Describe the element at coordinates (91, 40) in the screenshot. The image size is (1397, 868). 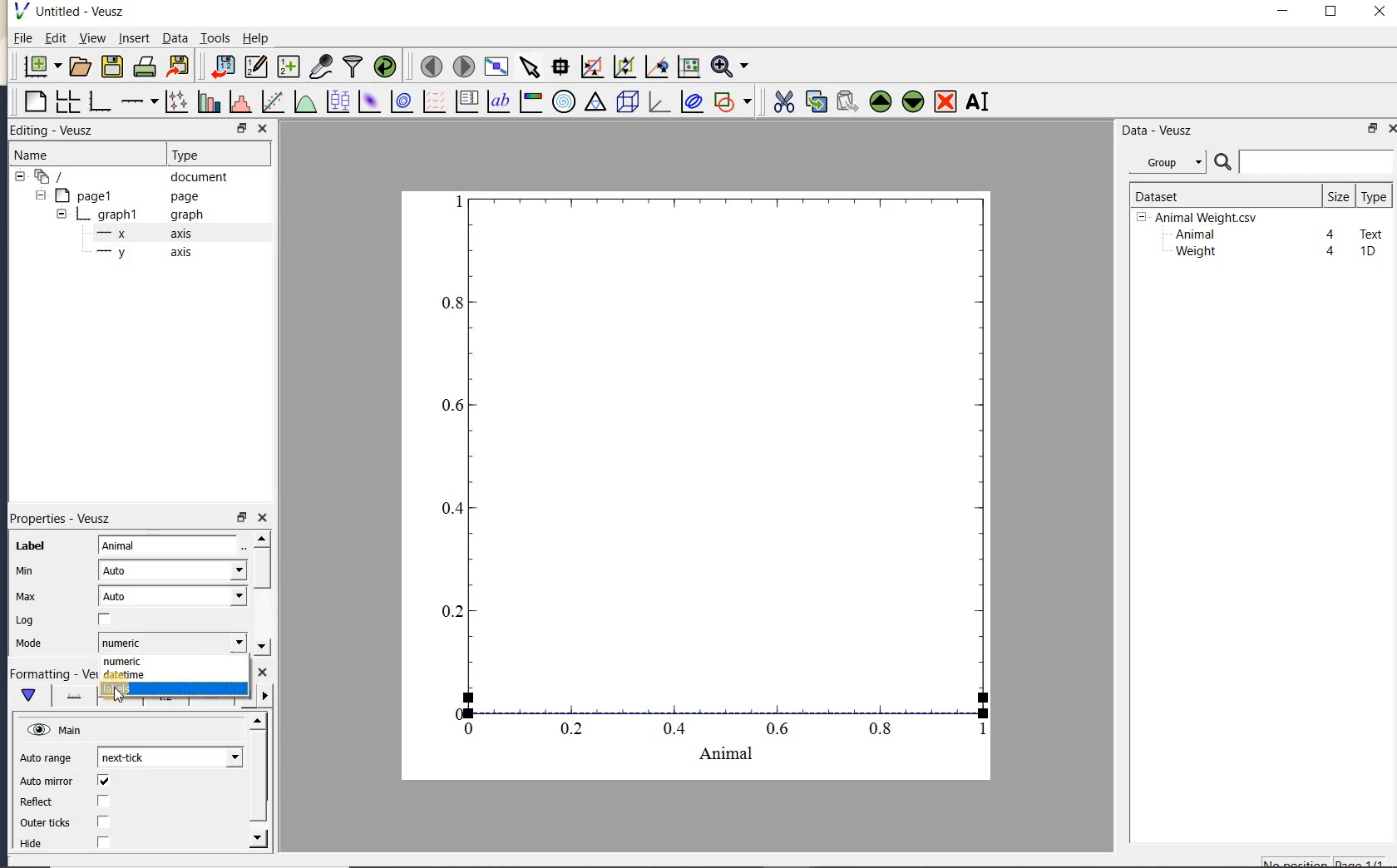
I see `view` at that location.